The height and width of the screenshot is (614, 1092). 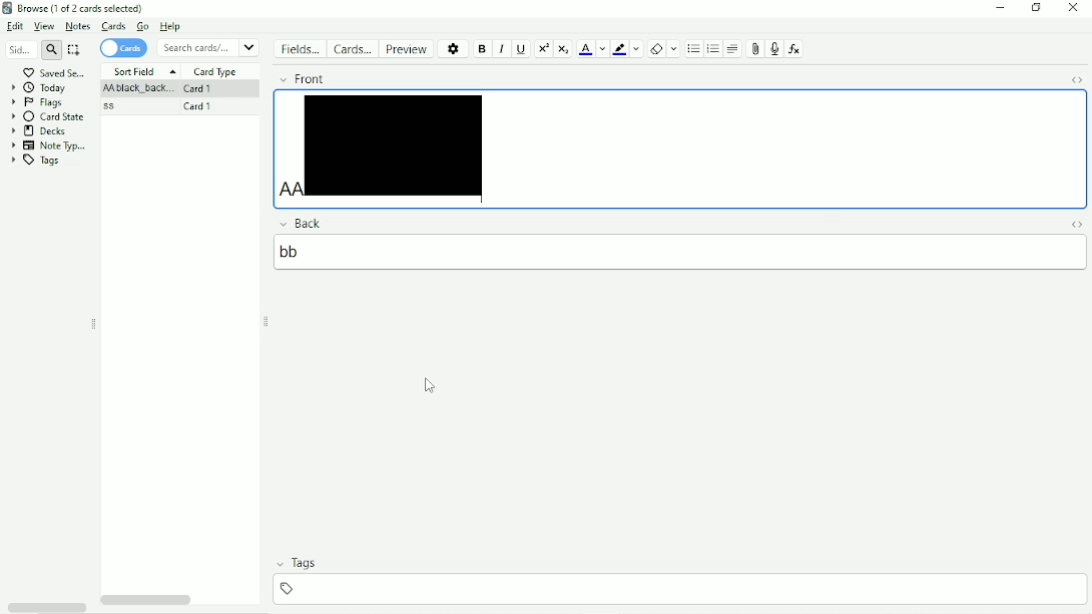 What do you see at coordinates (144, 602) in the screenshot?
I see `Horizontal scrollbar` at bounding box center [144, 602].